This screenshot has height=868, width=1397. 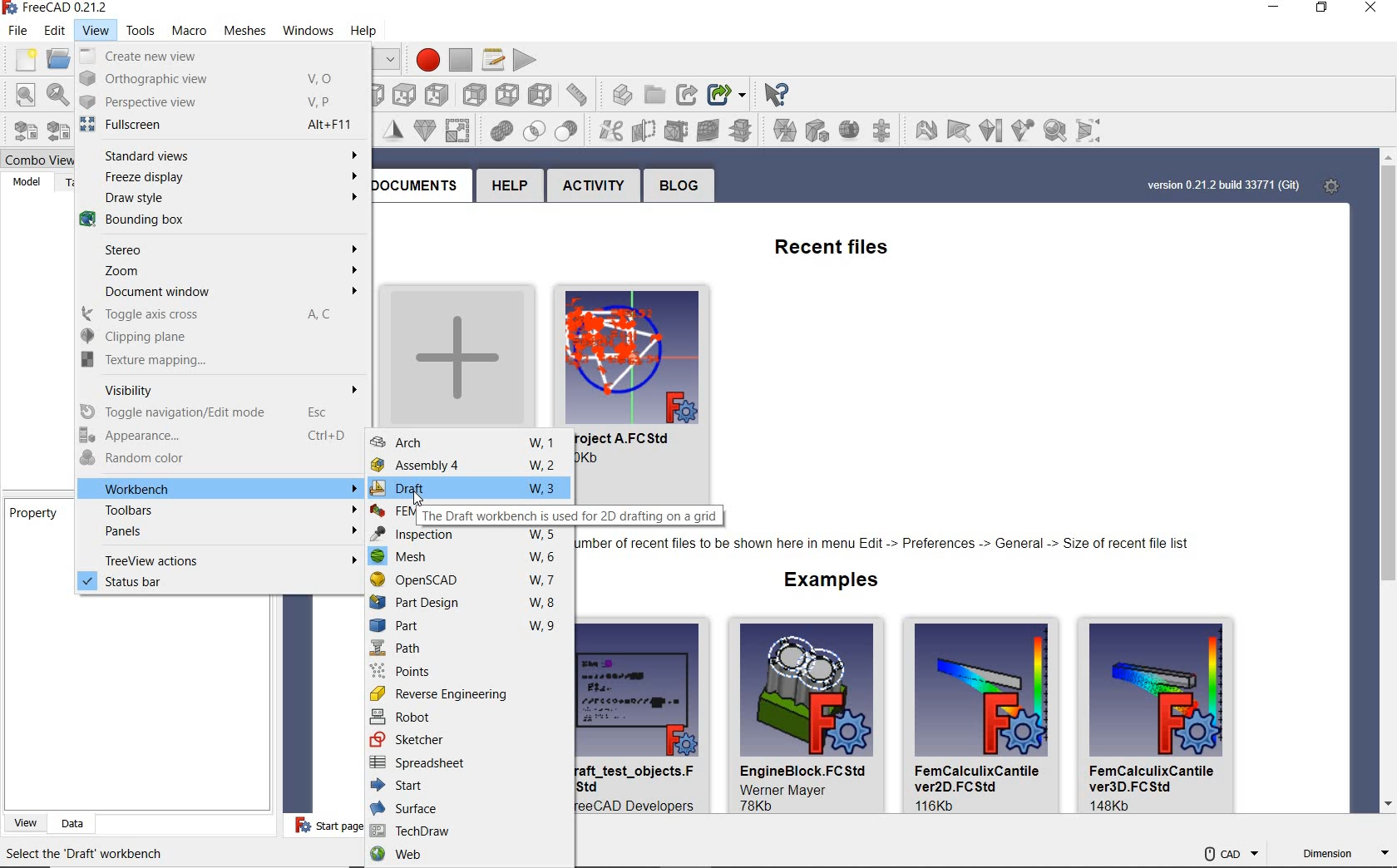 What do you see at coordinates (390, 512) in the screenshot?
I see `FEM` at bounding box center [390, 512].